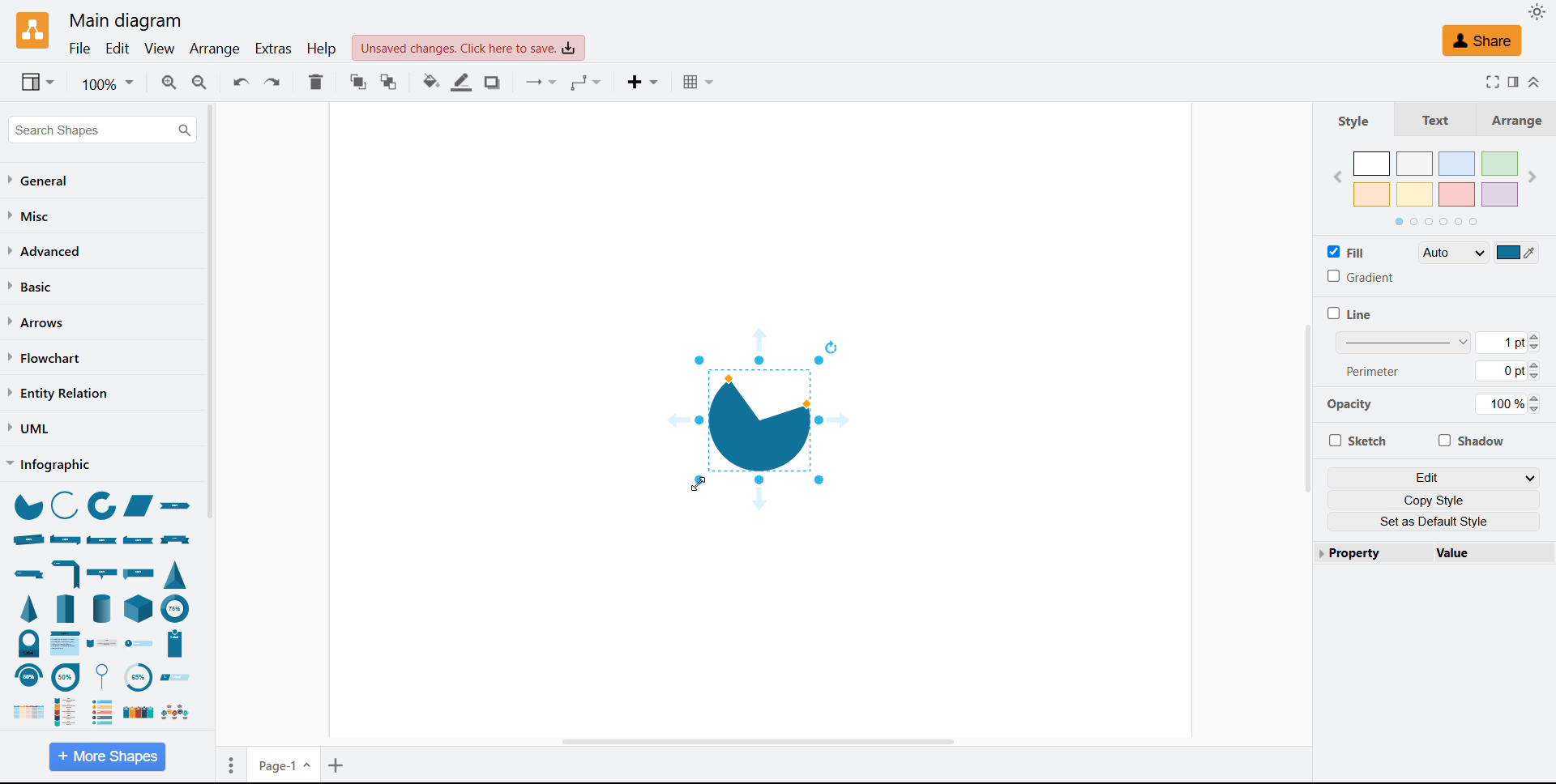 Image resolution: width=1556 pixels, height=784 pixels. I want to click on perimeter, so click(1374, 370).